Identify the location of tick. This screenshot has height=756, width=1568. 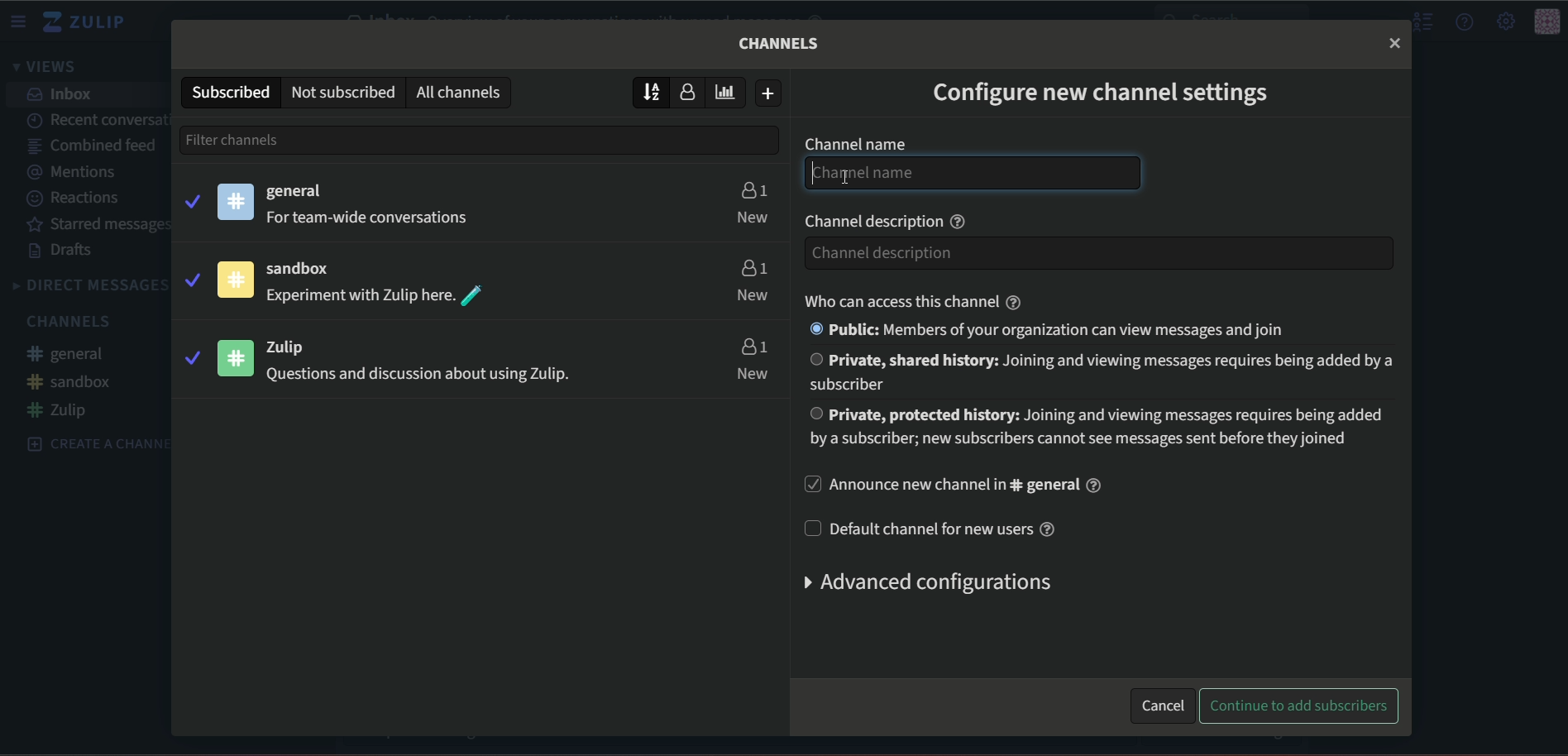
(190, 278).